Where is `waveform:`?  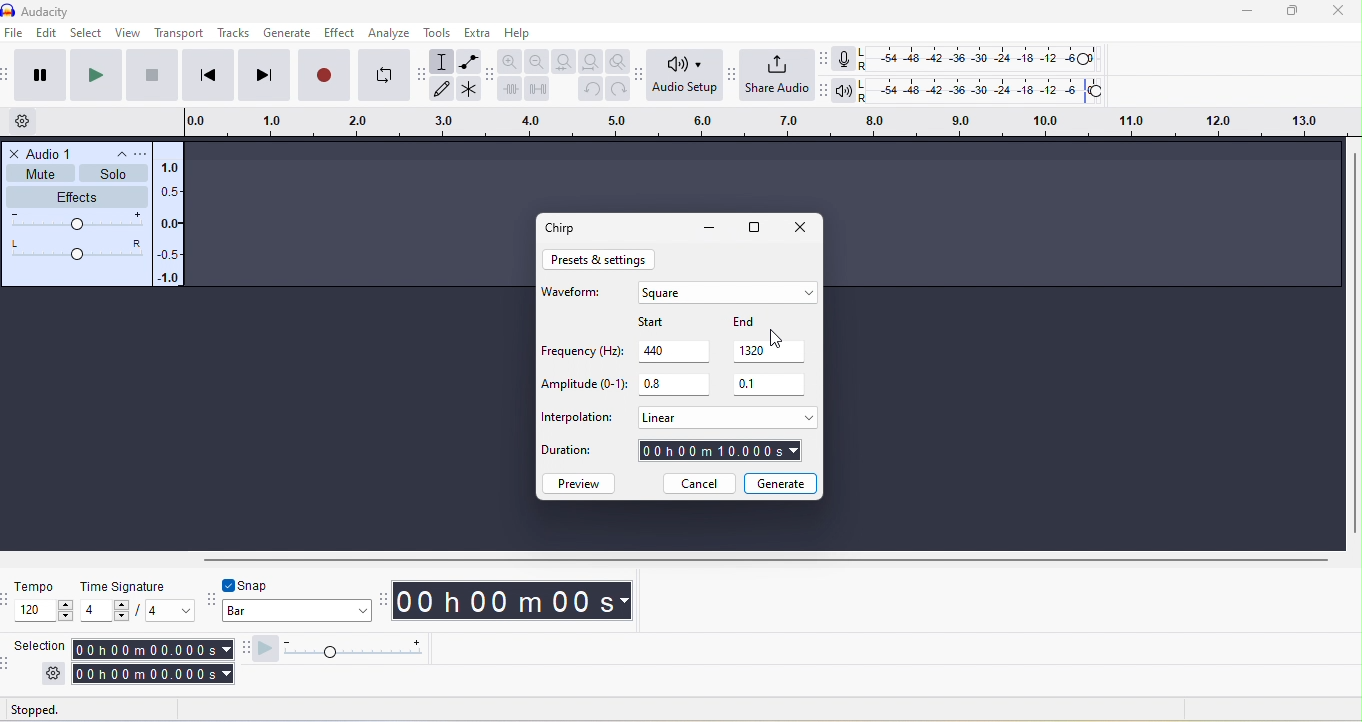 waveform: is located at coordinates (576, 297).